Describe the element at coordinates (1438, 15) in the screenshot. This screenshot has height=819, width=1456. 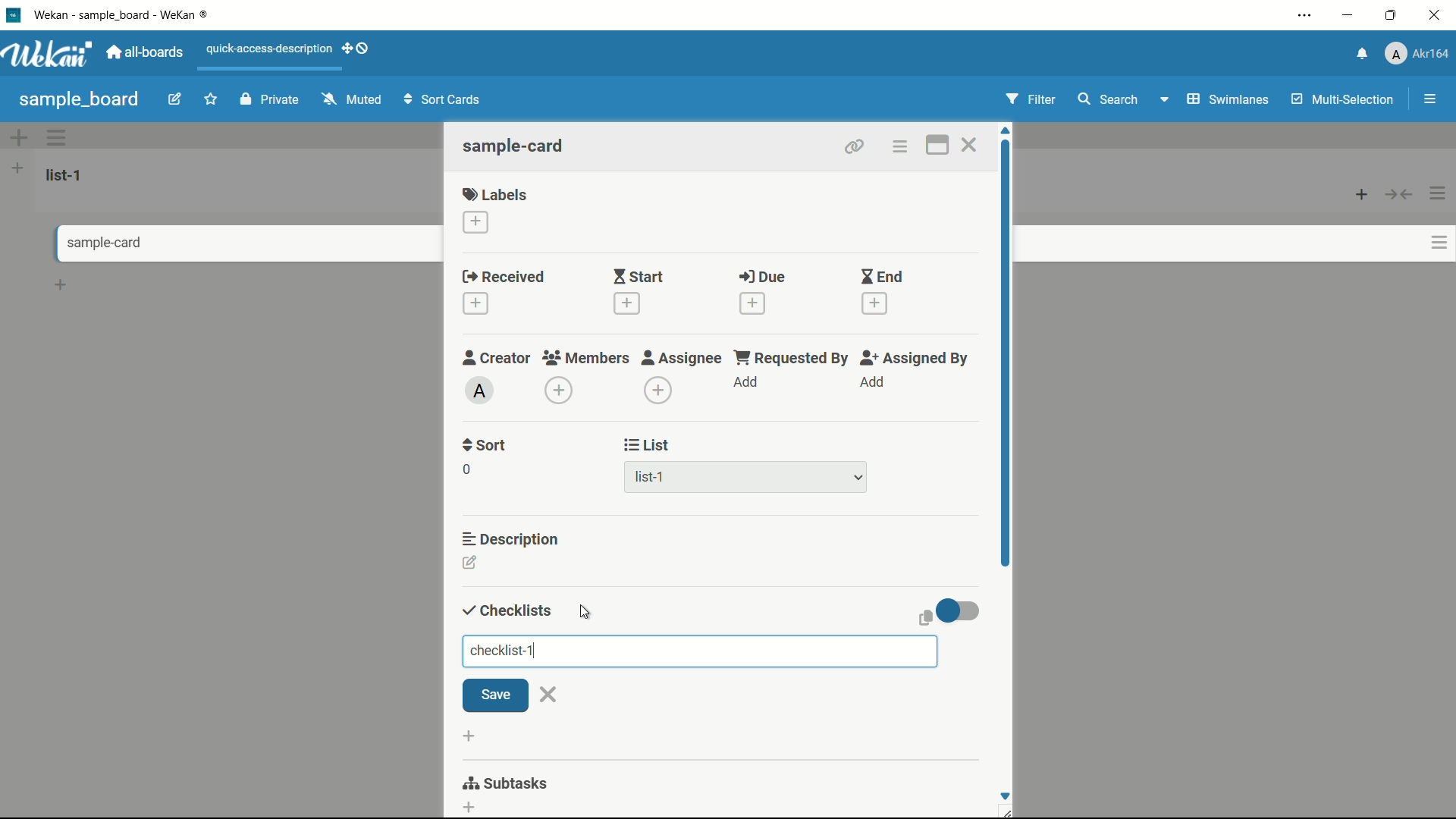
I see `close app` at that location.